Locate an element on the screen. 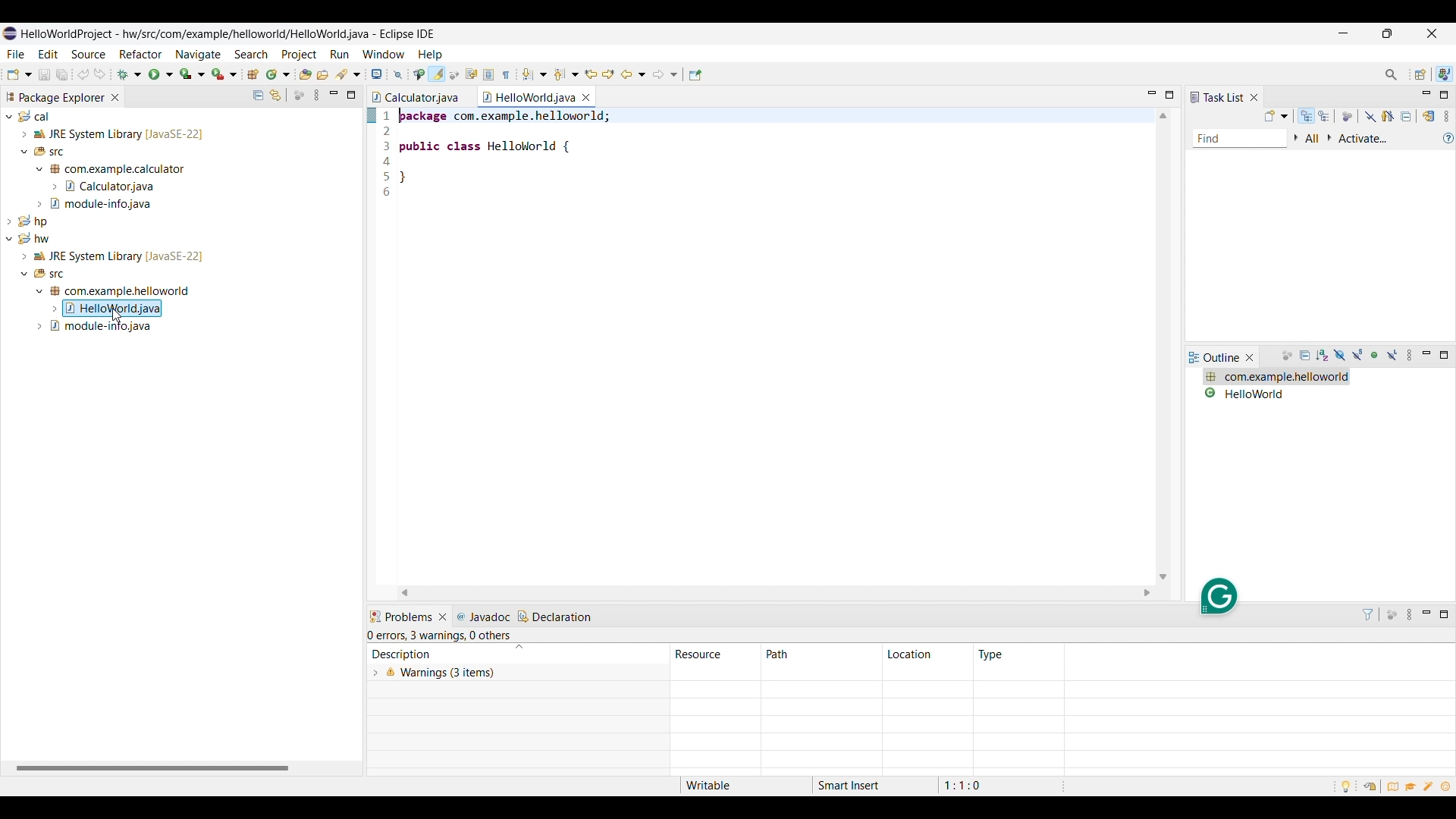 The height and width of the screenshot is (819, 1456). Toggle mark occurrences  is located at coordinates (438, 74).